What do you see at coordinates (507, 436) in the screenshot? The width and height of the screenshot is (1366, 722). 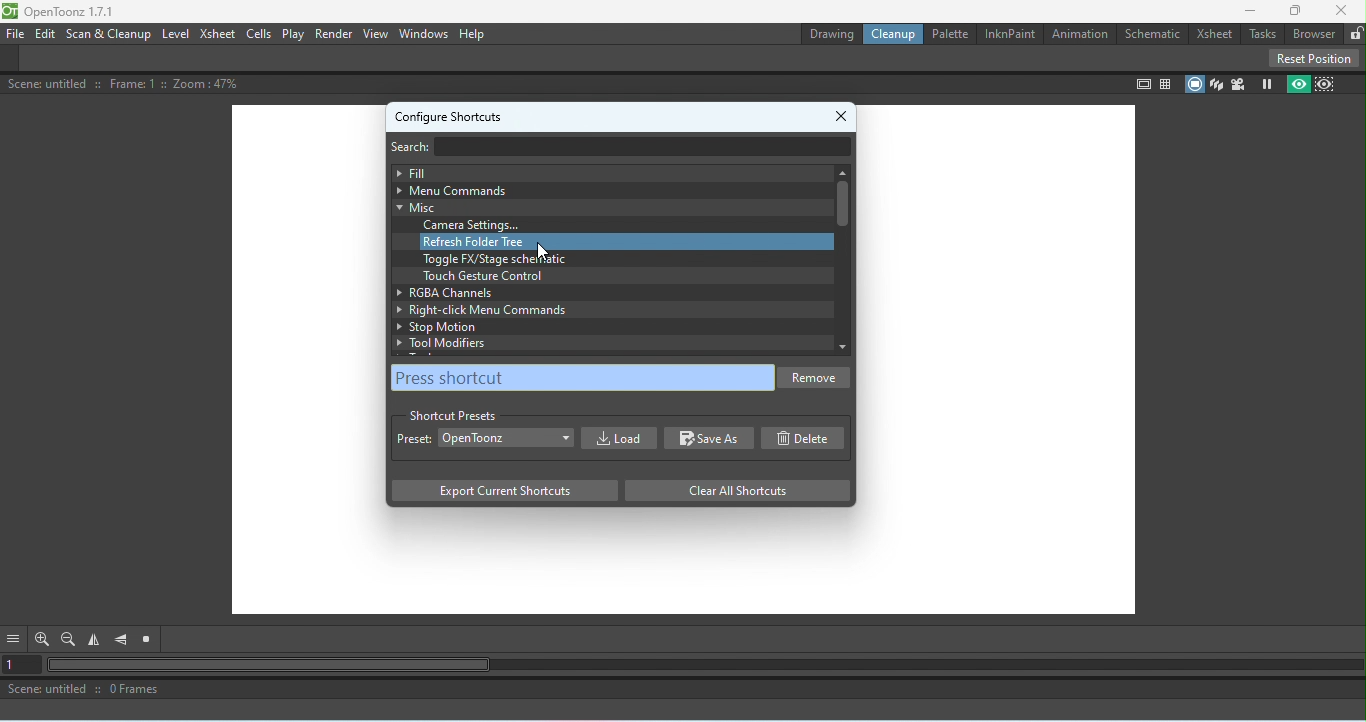 I see `Drop down menu` at bounding box center [507, 436].